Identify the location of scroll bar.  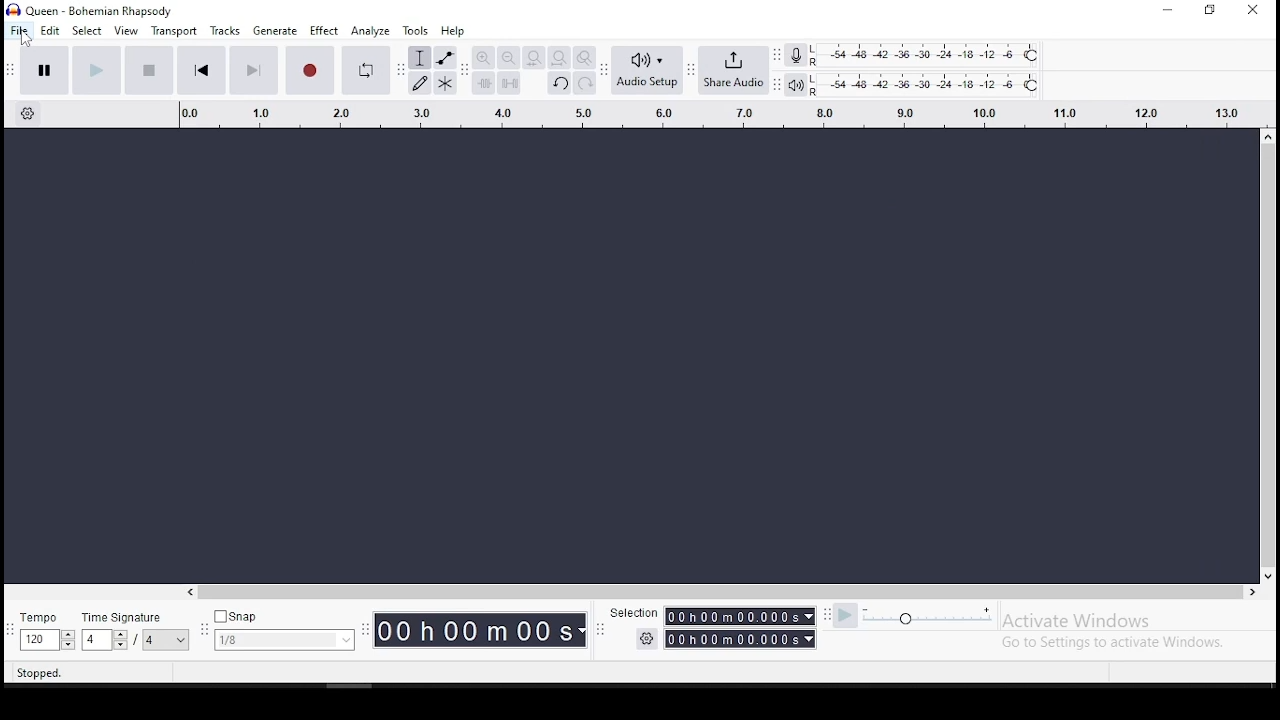
(714, 591).